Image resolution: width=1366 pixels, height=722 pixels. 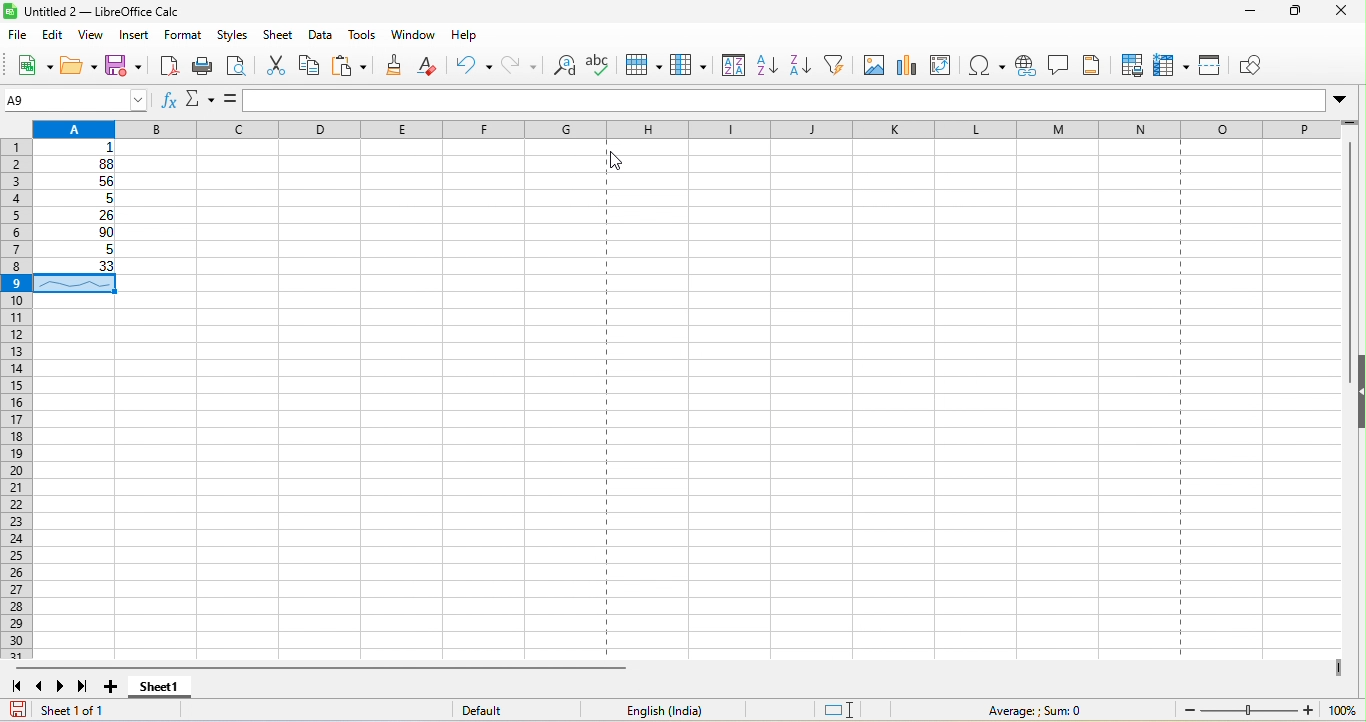 I want to click on Default, so click(x=494, y=711).